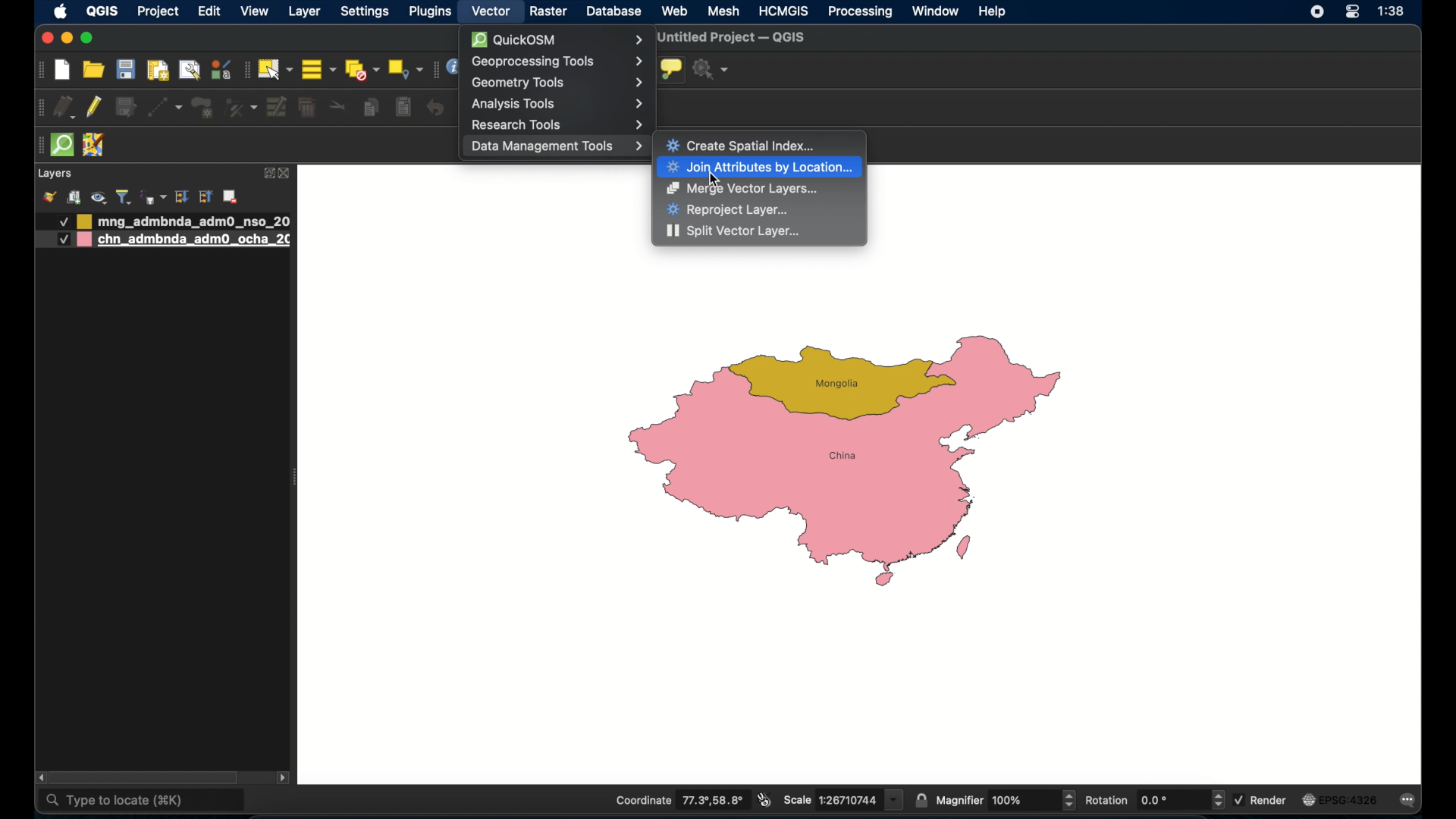 This screenshot has height=819, width=1456. What do you see at coordinates (680, 801) in the screenshot?
I see `coordinate` at bounding box center [680, 801].